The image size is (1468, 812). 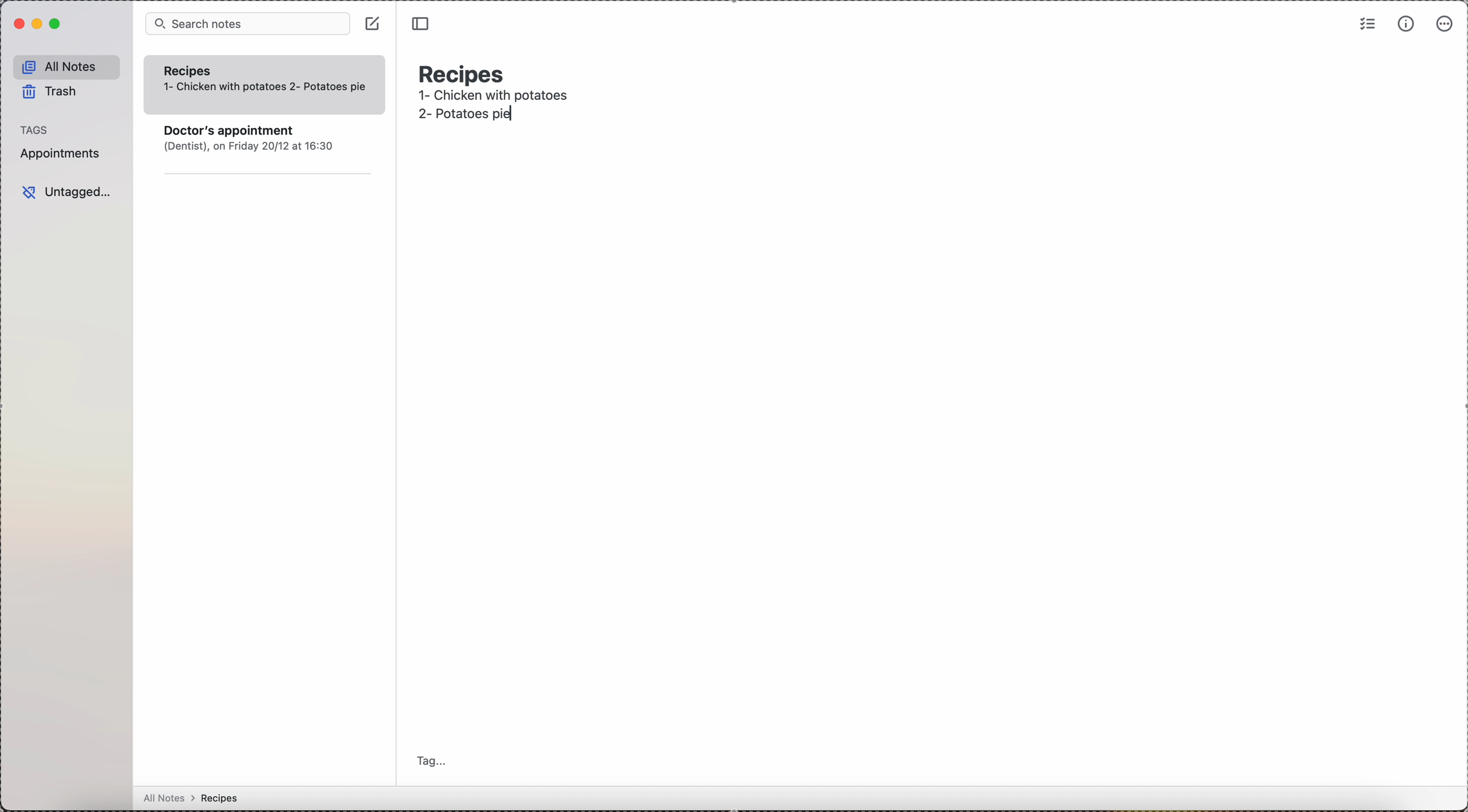 I want to click on toggle sidebar, so click(x=419, y=22).